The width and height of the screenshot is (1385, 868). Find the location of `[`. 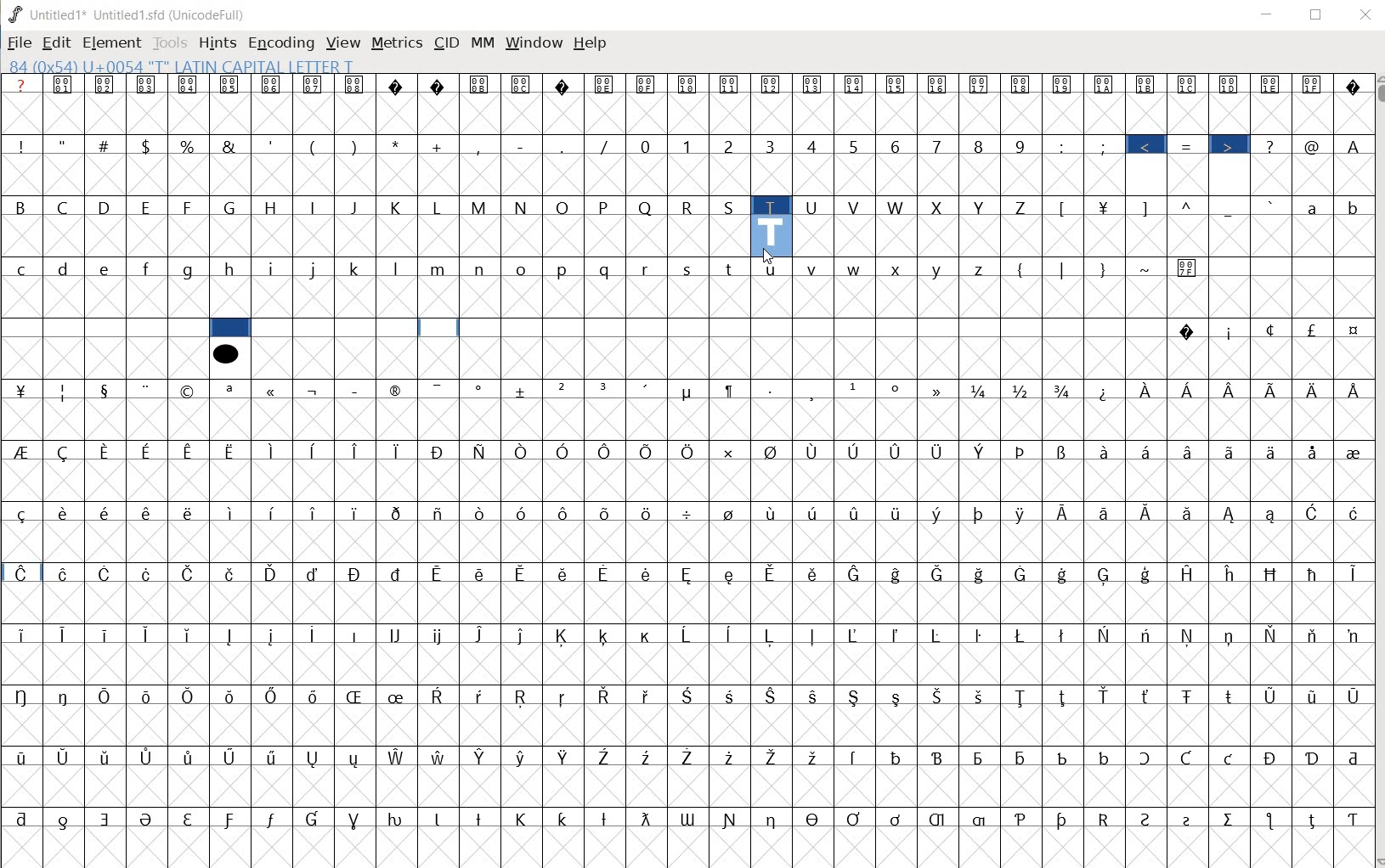

[ is located at coordinates (1064, 208).